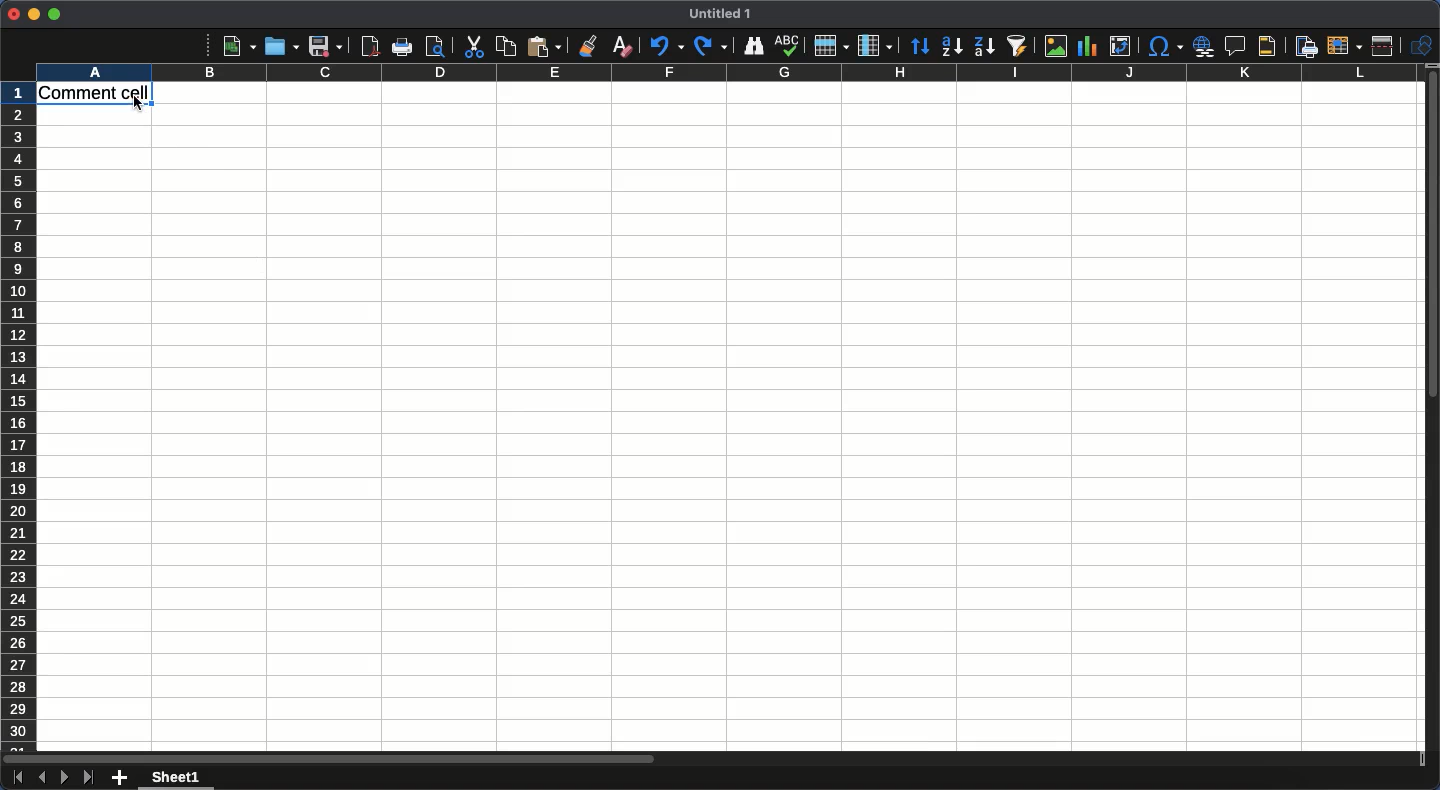  Describe the element at coordinates (877, 45) in the screenshot. I see `Column` at that location.